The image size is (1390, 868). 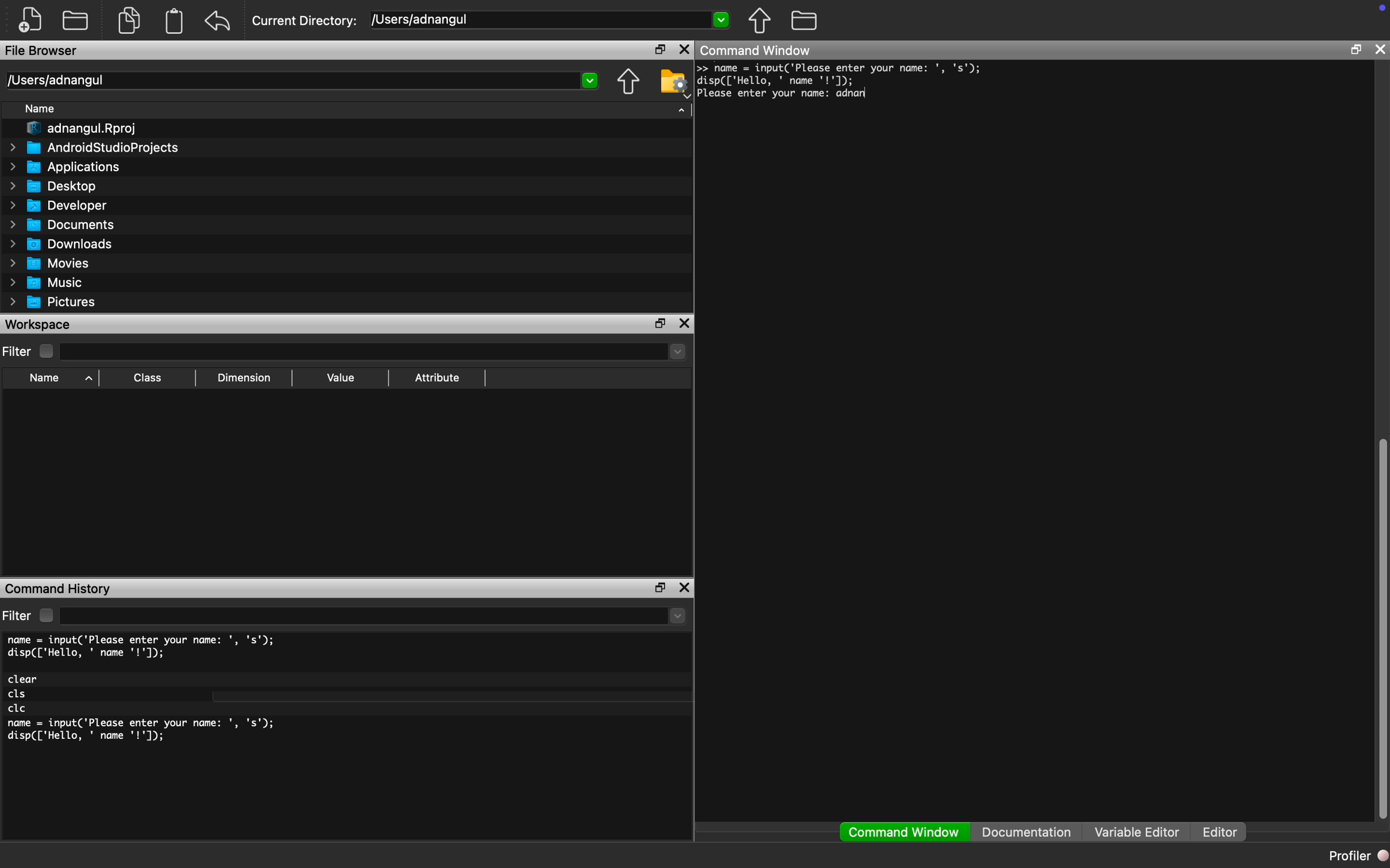 I want to click on name = input('Please enter your name: ','s');  disp(['Hello, 'name'!']), so click(x=144, y=733).